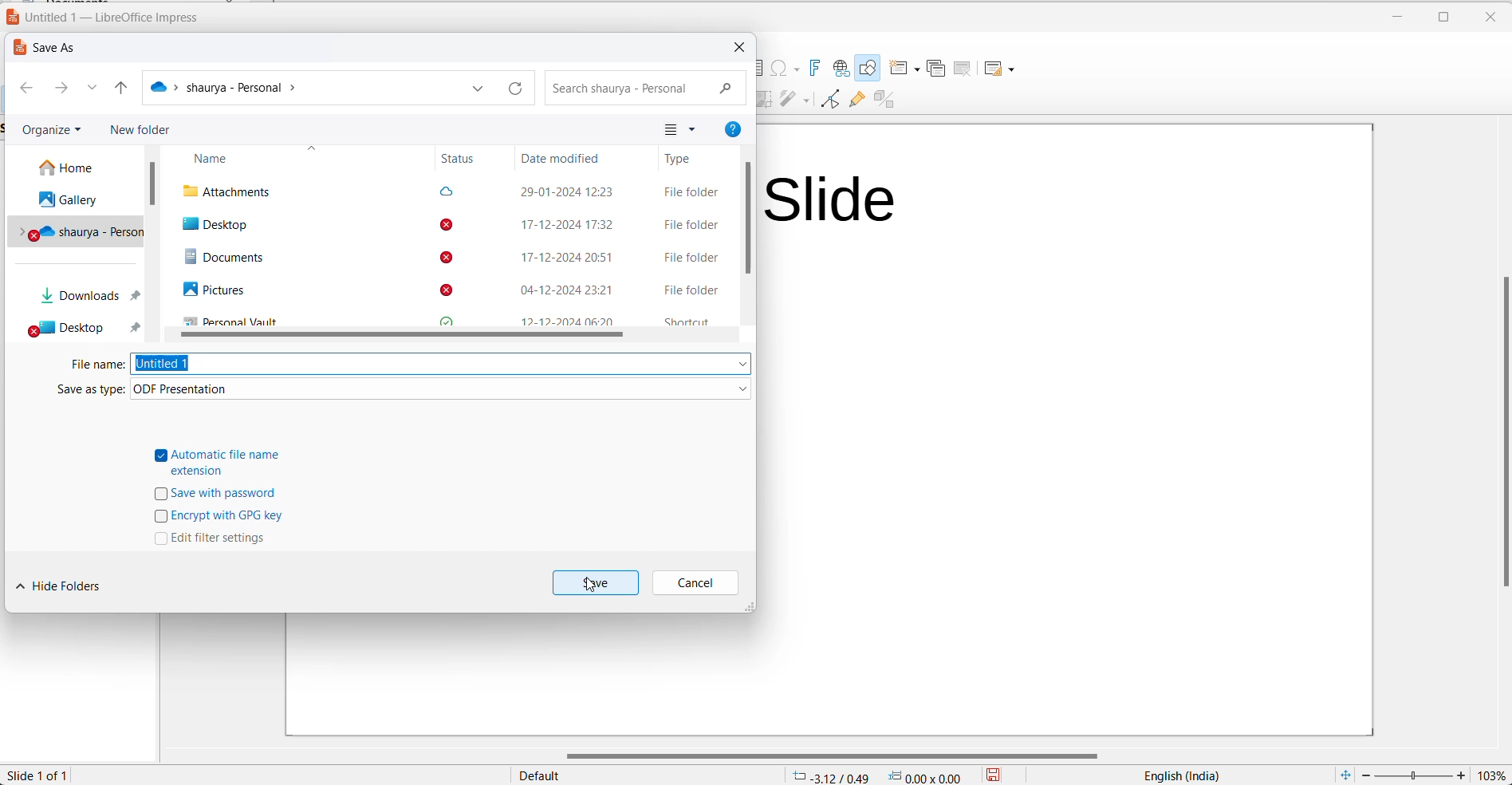 This screenshot has width=1512, height=785. What do you see at coordinates (1173, 775) in the screenshot?
I see `text language` at bounding box center [1173, 775].